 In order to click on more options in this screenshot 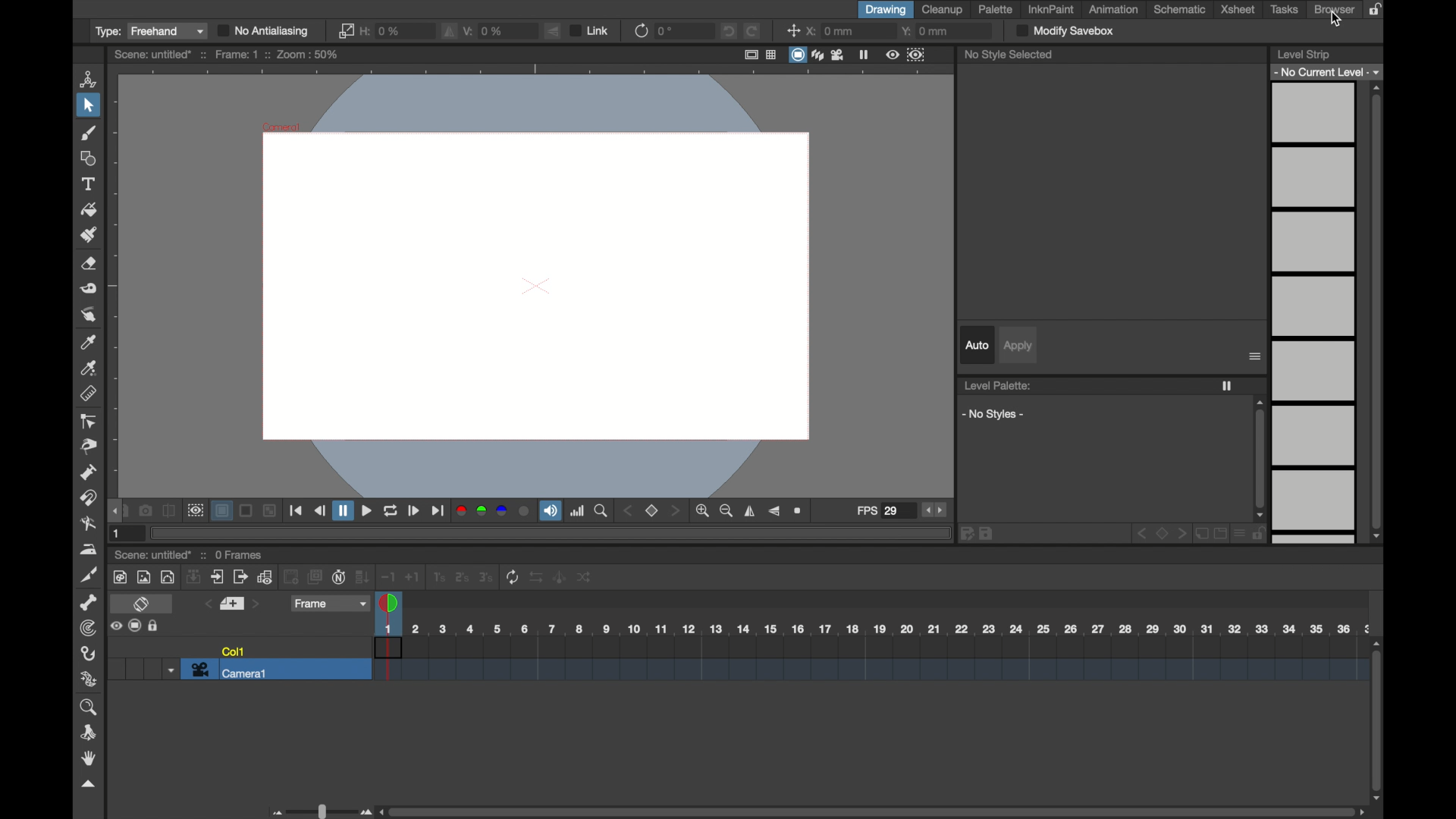, I will do `click(136, 626)`.